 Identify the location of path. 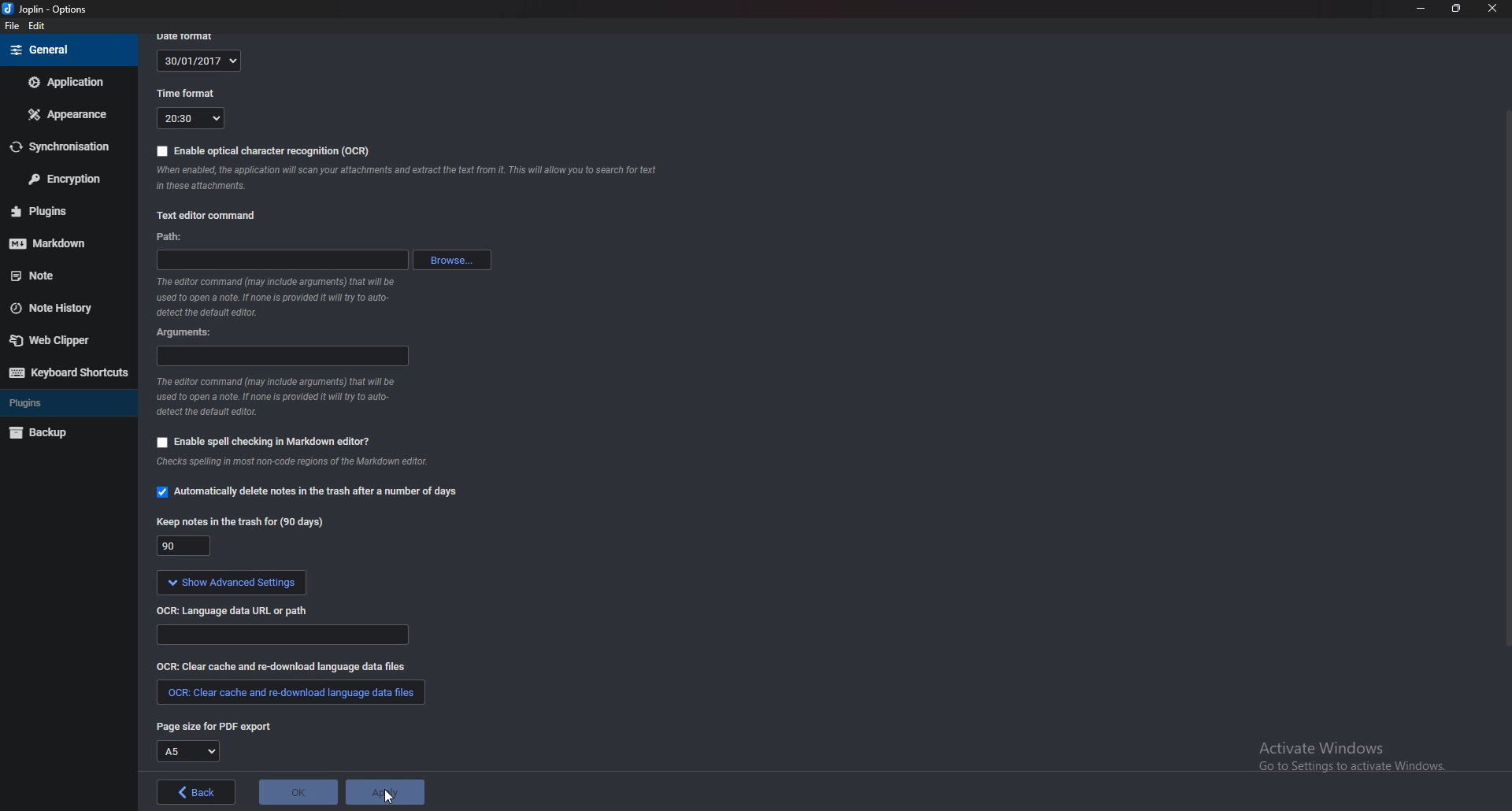
(282, 261).